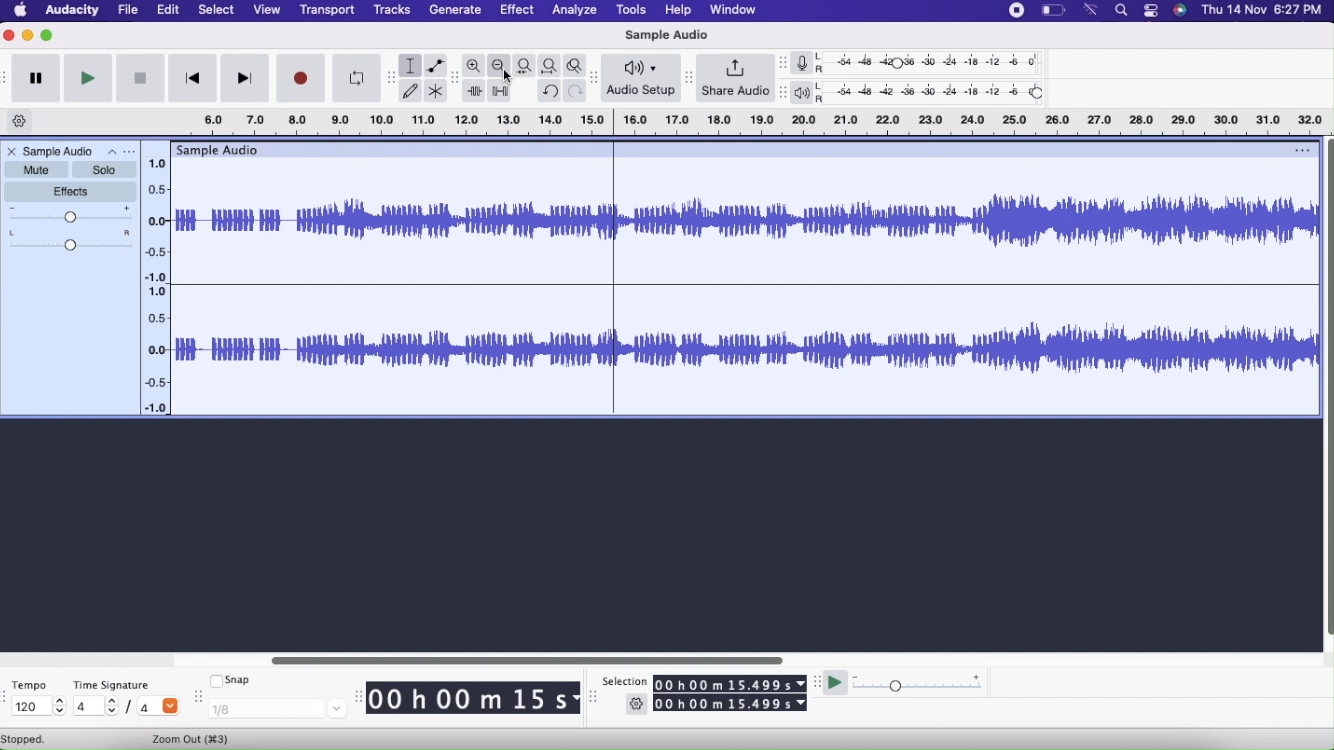 The image size is (1334, 750). What do you see at coordinates (575, 66) in the screenshot?
I see `Zoom Toggle` at bounding box center [575, 66].